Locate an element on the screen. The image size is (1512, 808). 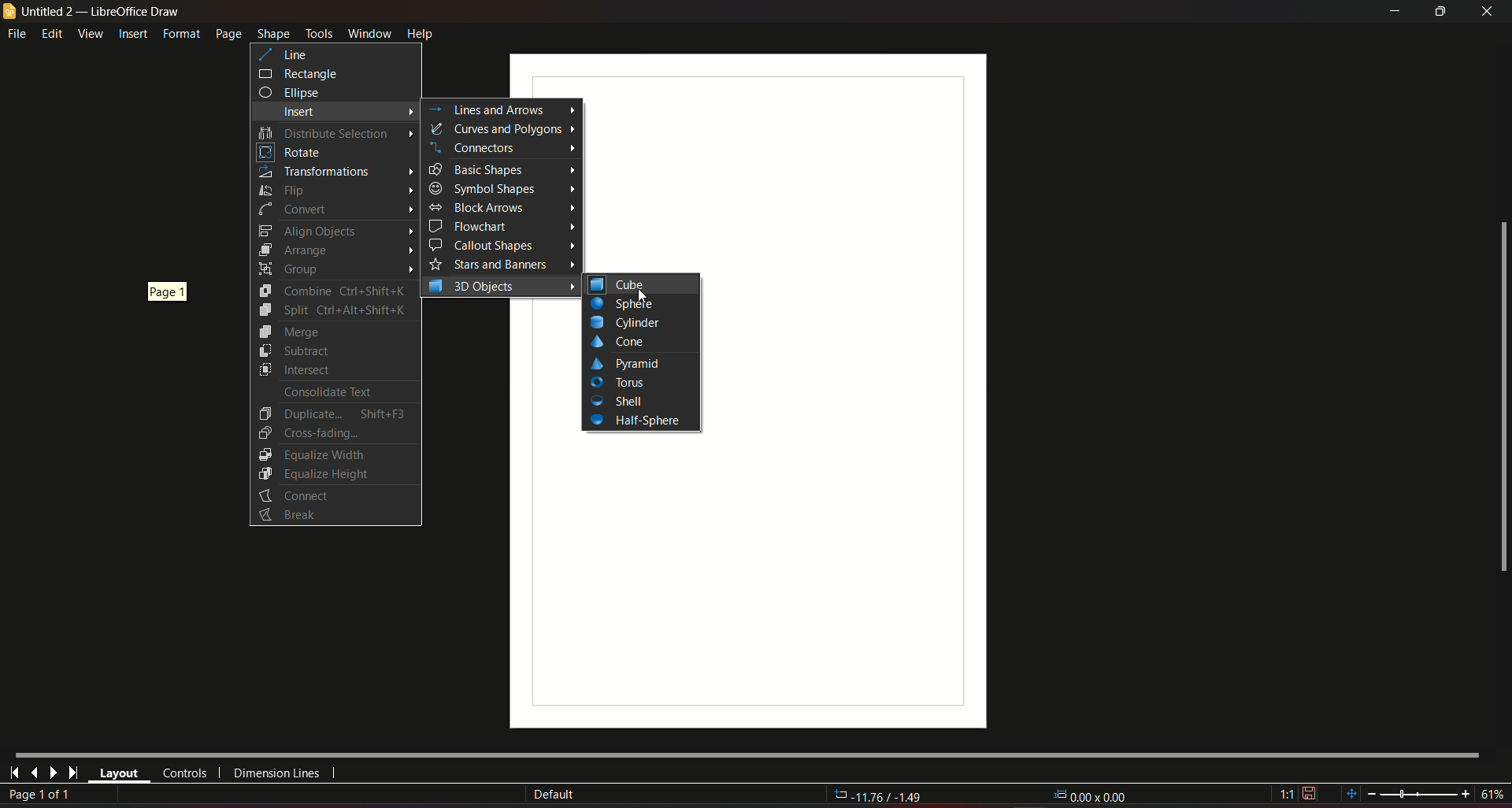
Basic Shapes is located at coordinates (475, 169).